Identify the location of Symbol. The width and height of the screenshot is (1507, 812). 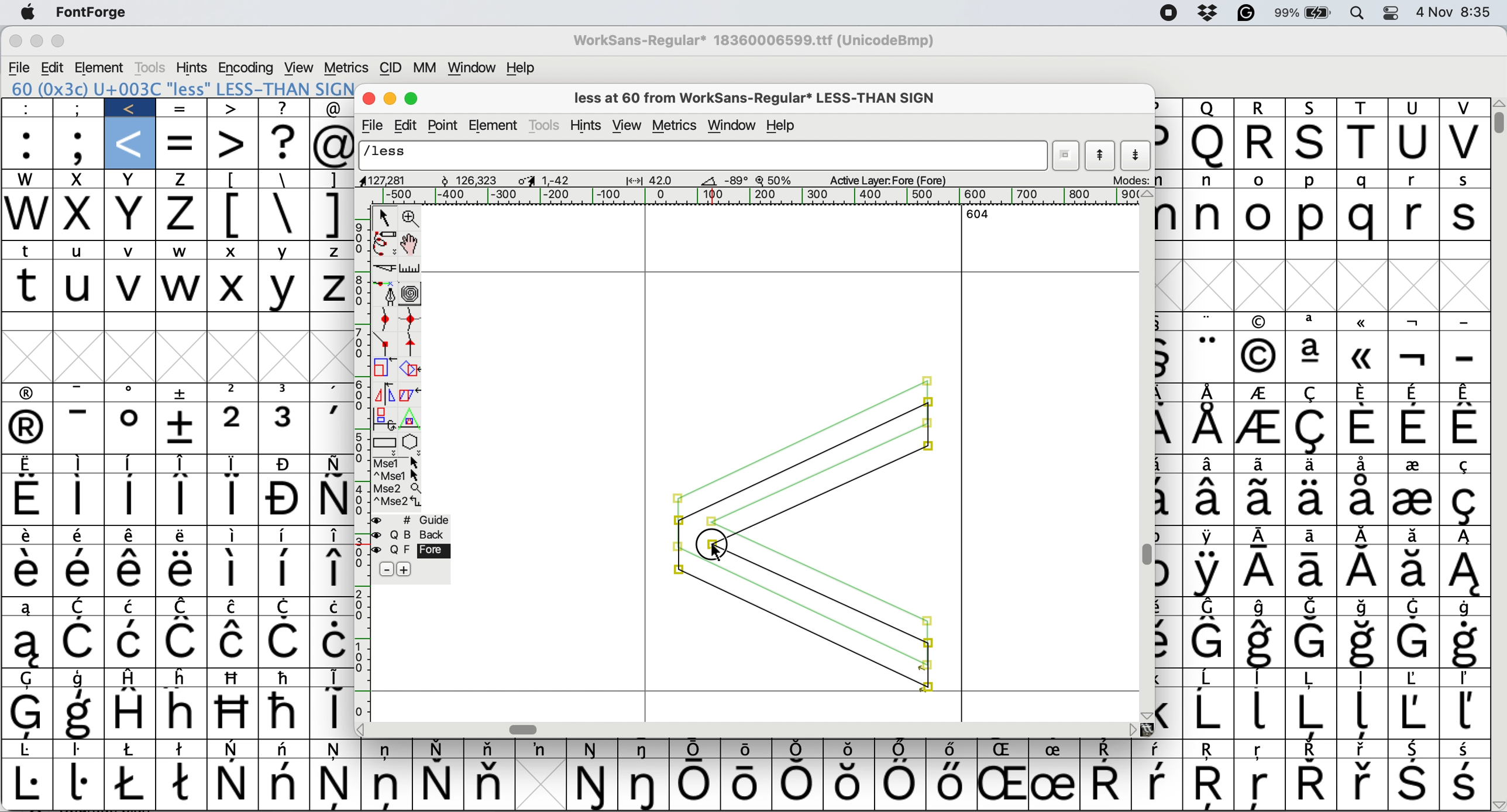
(542, 749).